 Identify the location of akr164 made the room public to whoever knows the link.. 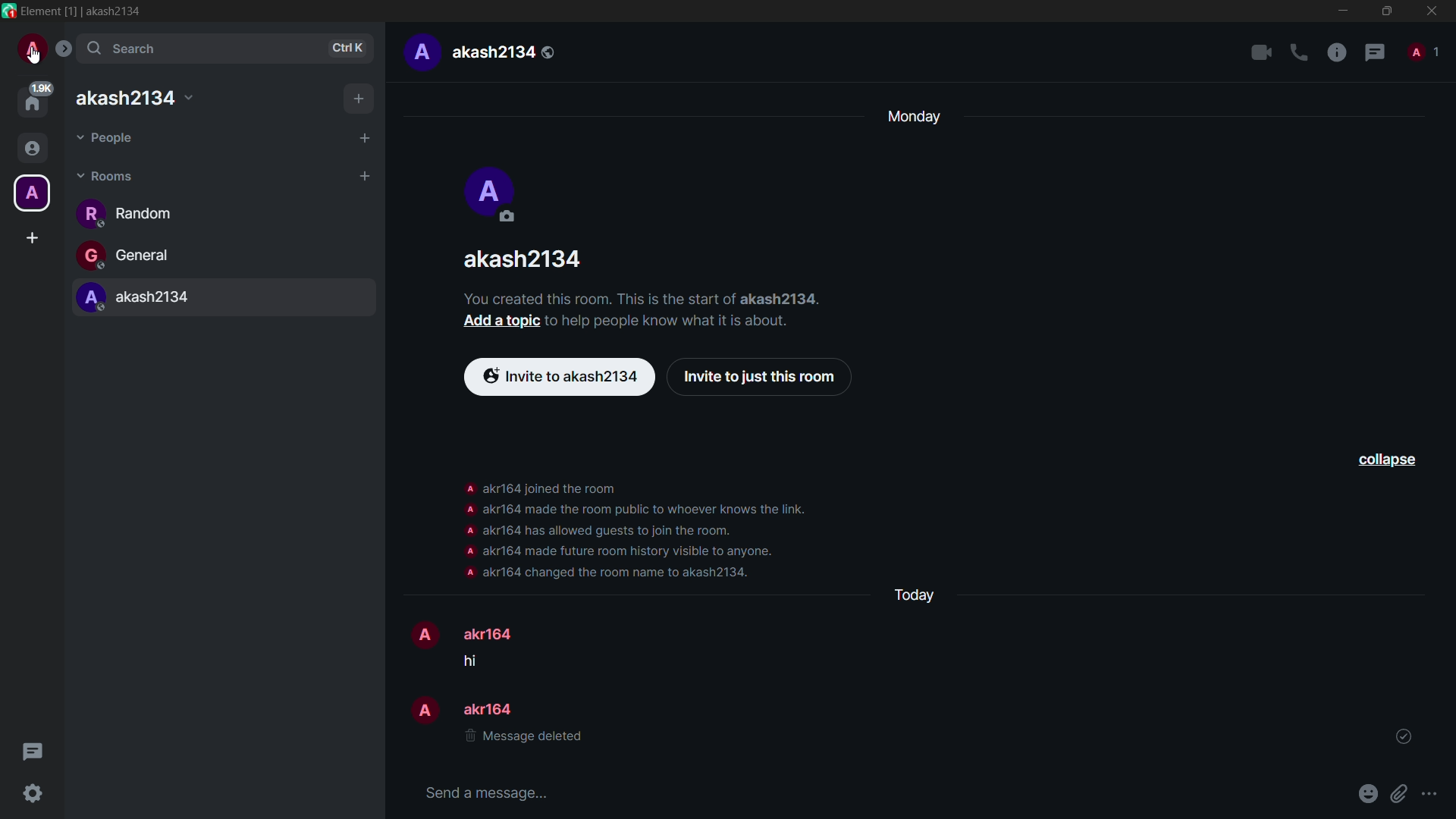
(648, 508).